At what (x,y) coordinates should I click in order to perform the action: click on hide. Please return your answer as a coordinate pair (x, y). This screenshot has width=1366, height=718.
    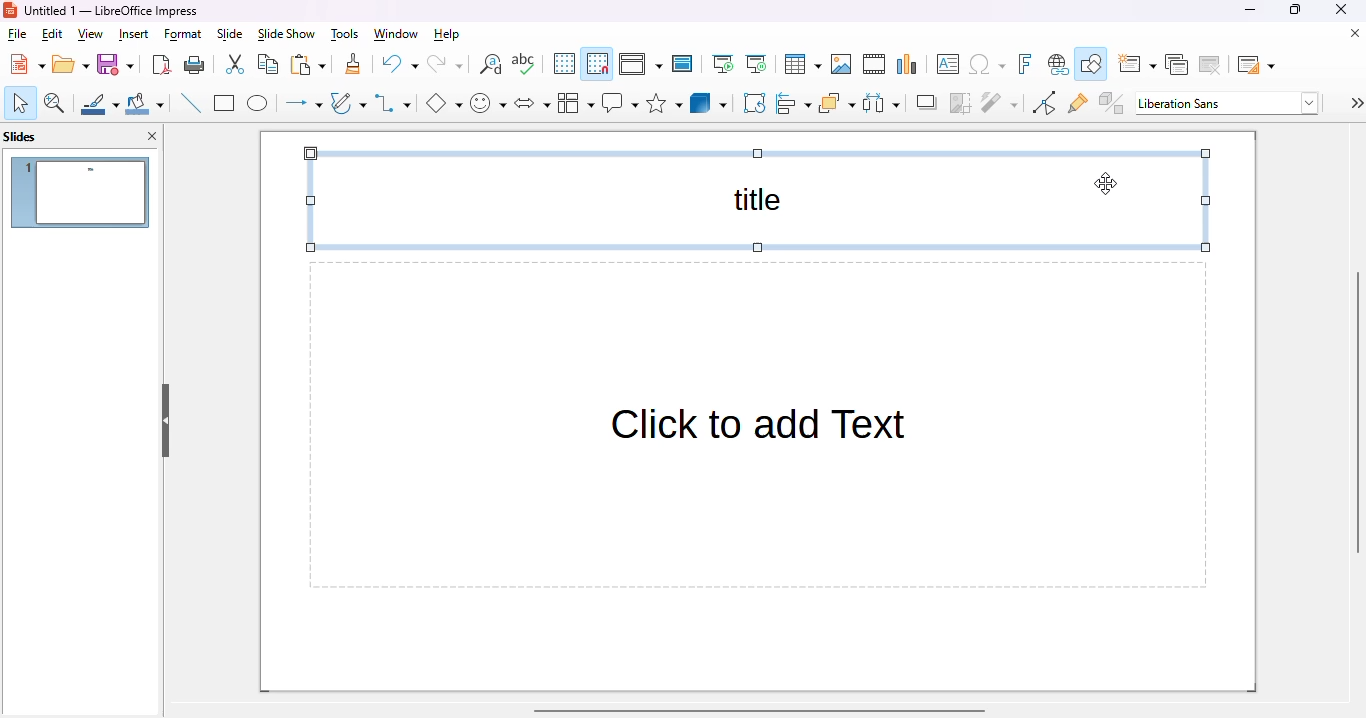
    Looking at the image, I should click on (166, 420).